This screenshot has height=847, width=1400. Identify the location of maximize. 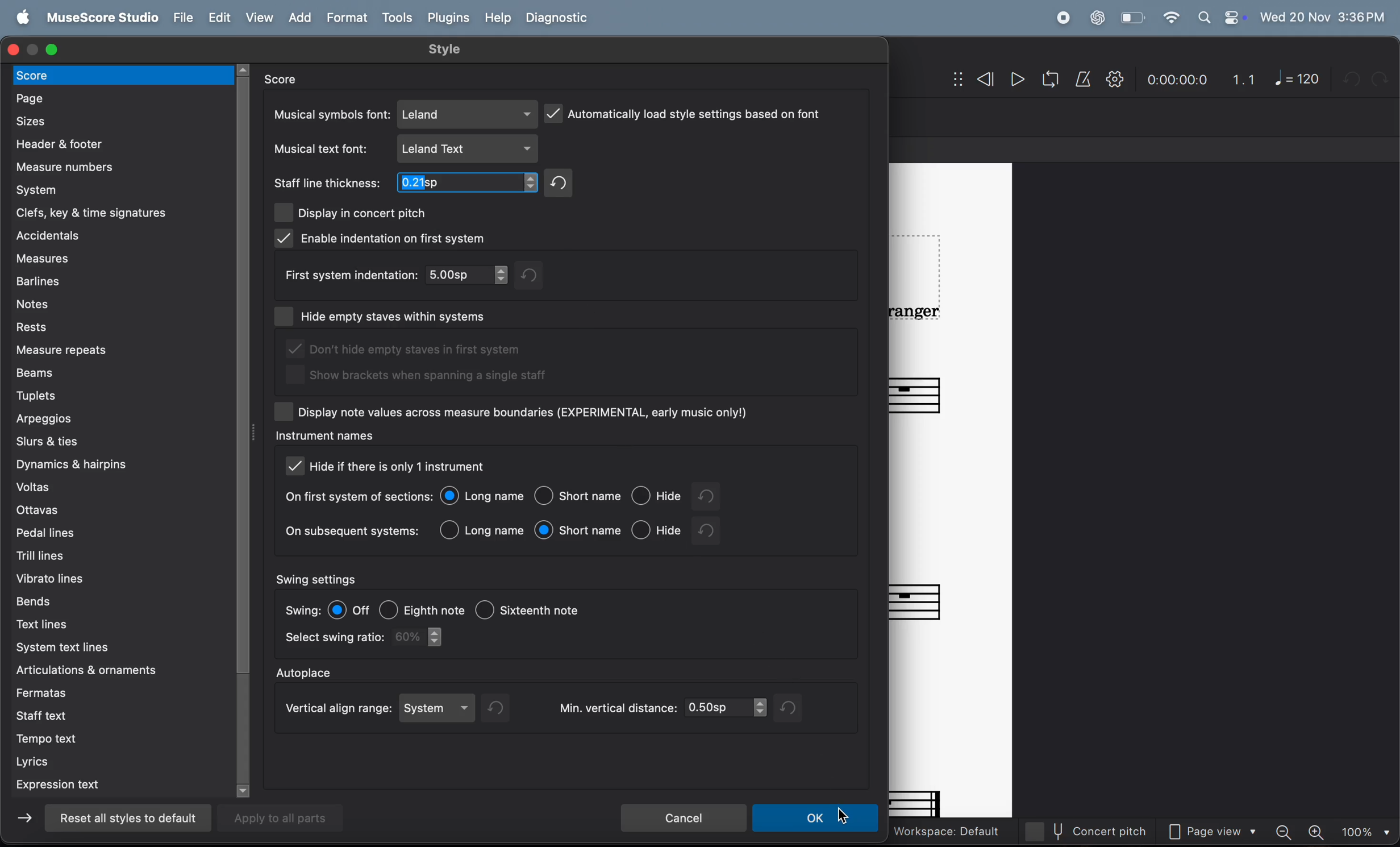
(53, 48).